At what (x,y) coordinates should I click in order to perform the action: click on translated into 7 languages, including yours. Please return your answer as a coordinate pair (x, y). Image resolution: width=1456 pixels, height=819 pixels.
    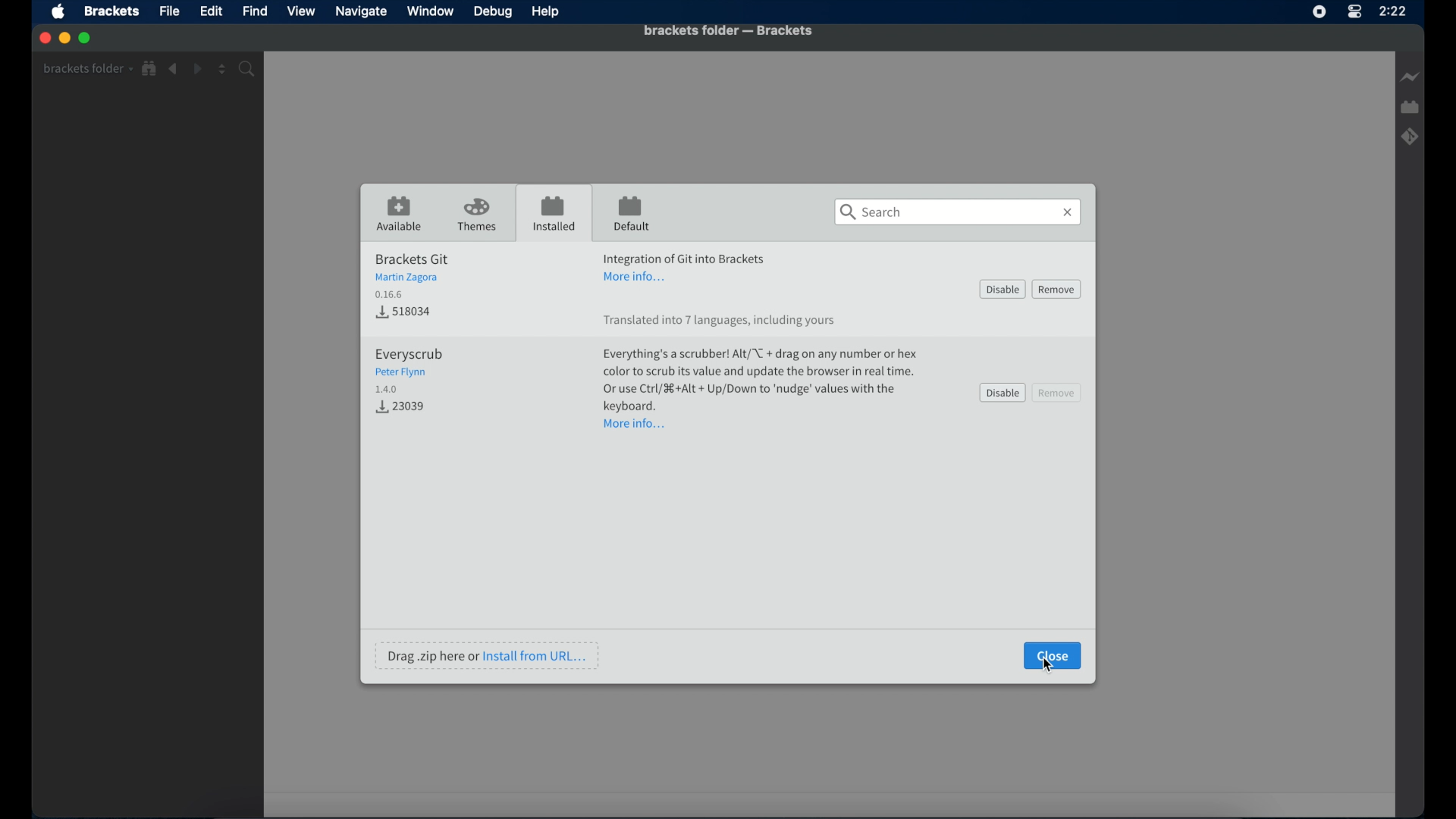
    Looking at the image, I should click on (720, 322).